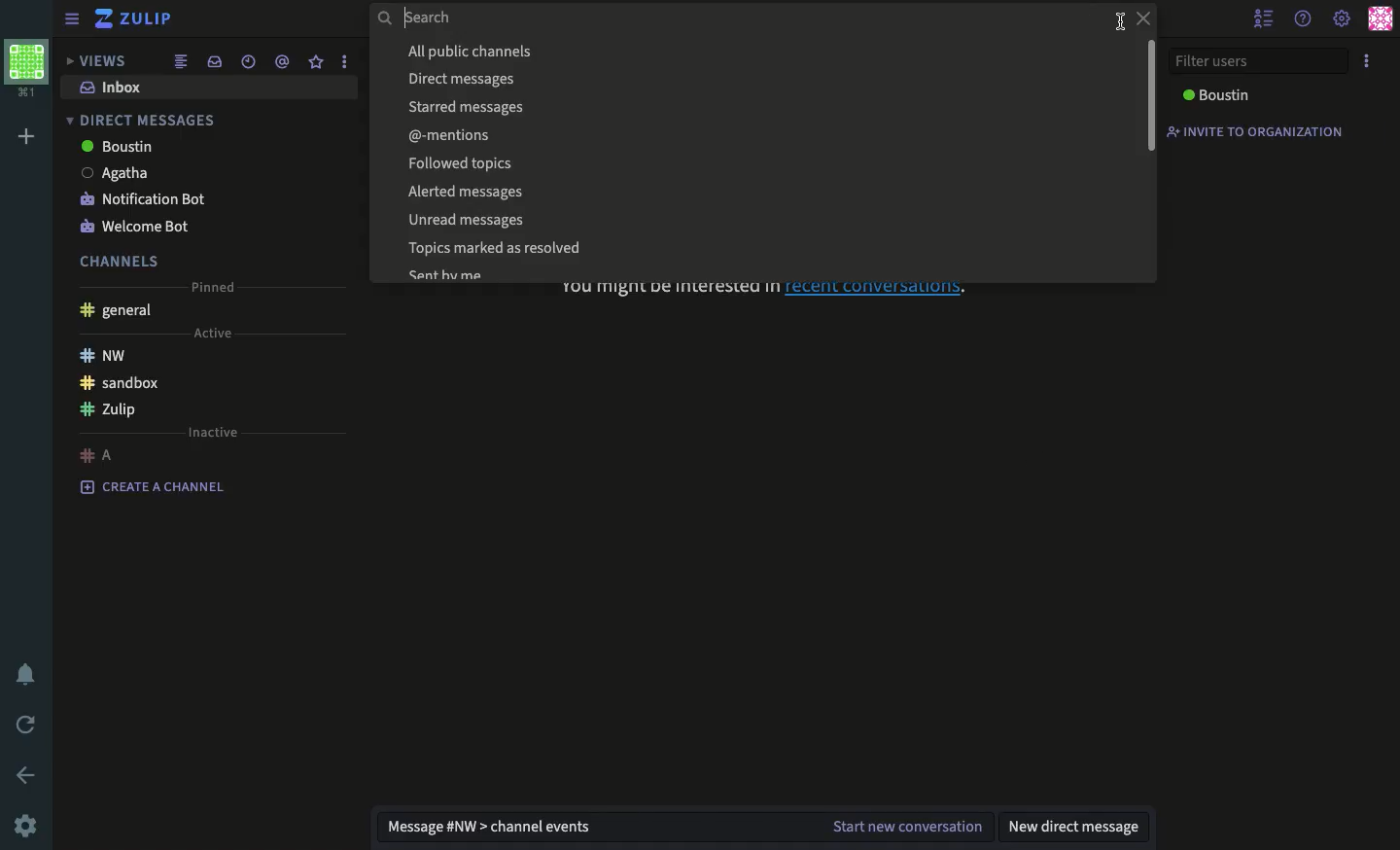  I want to click on active, so click(209, 334).